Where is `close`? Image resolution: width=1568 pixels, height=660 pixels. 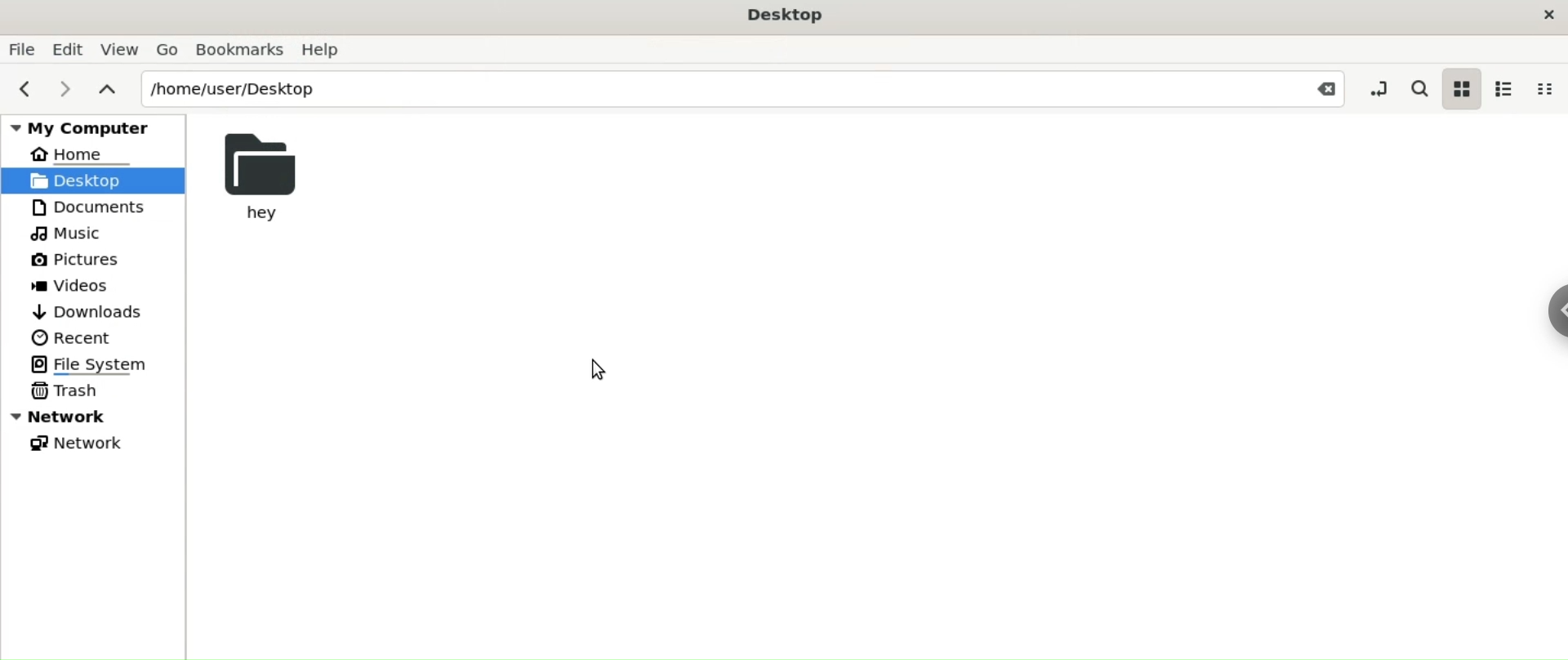
close is located at coordinates (1544, 16).